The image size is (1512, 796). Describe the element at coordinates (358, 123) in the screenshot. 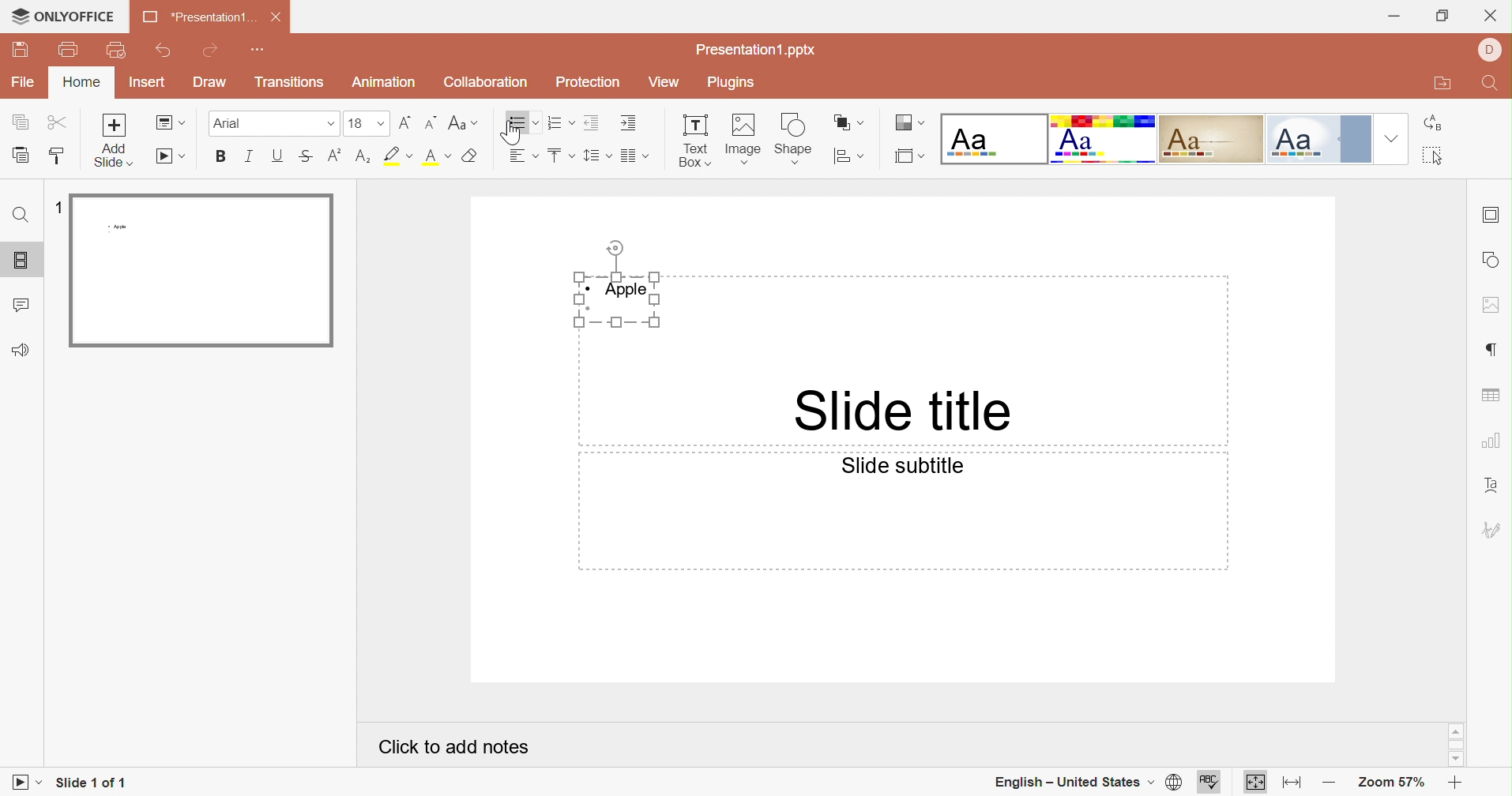

I see `16` at that location.